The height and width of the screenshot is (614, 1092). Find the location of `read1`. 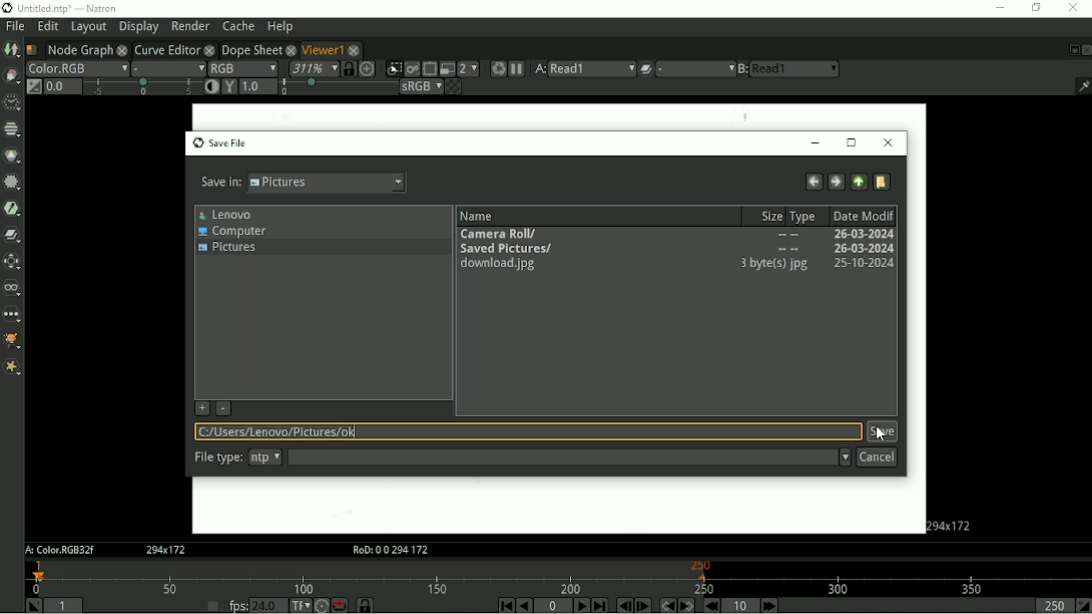

read1 is located at coordinates (796, 68).